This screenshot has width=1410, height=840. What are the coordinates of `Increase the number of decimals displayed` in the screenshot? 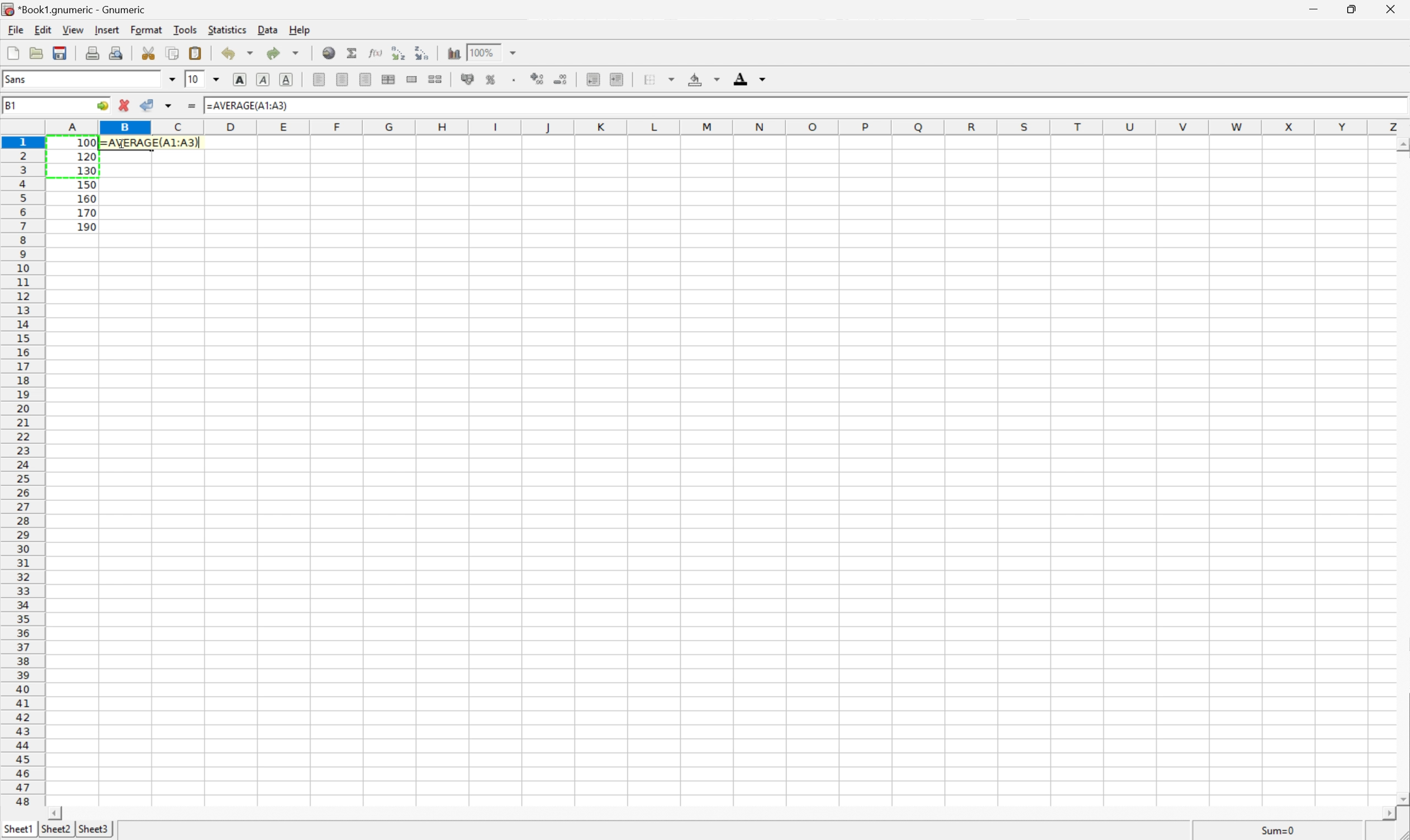 It's located at (539, 79).